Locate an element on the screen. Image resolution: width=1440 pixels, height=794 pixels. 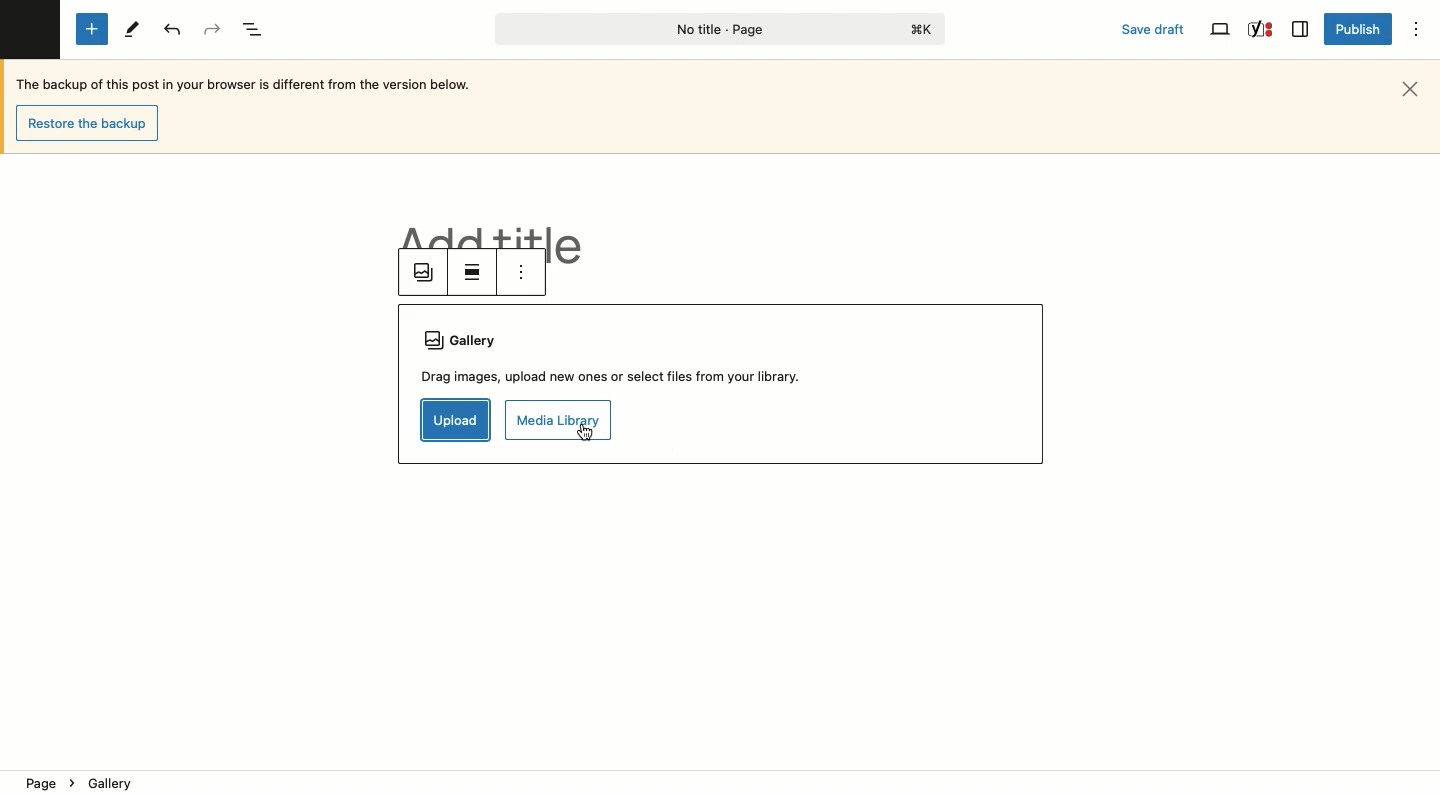
options is located at coordinates (520, 271).